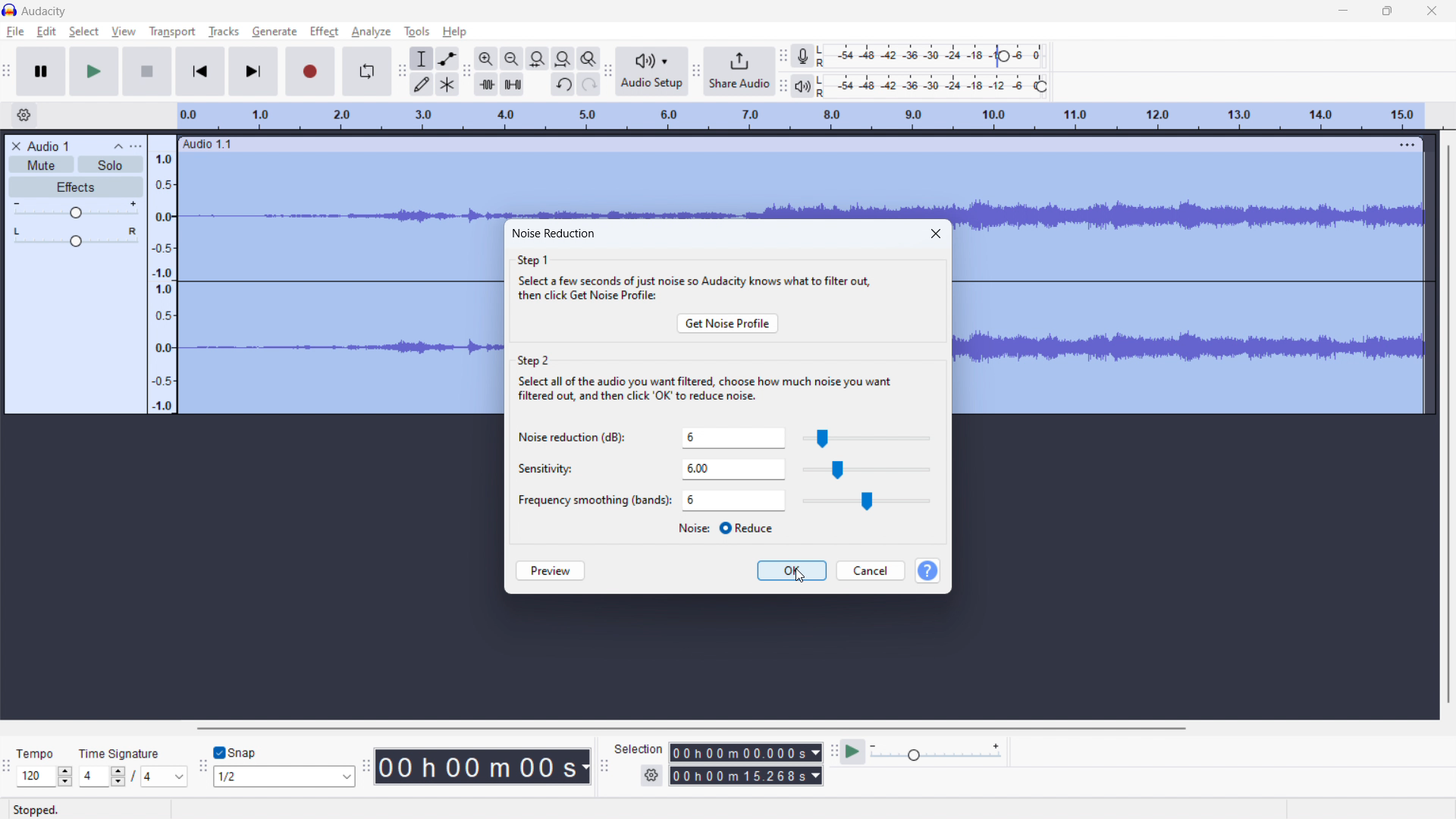 This screenshot has width=1456, height=819. I want to click on transport, so click(172, 33).